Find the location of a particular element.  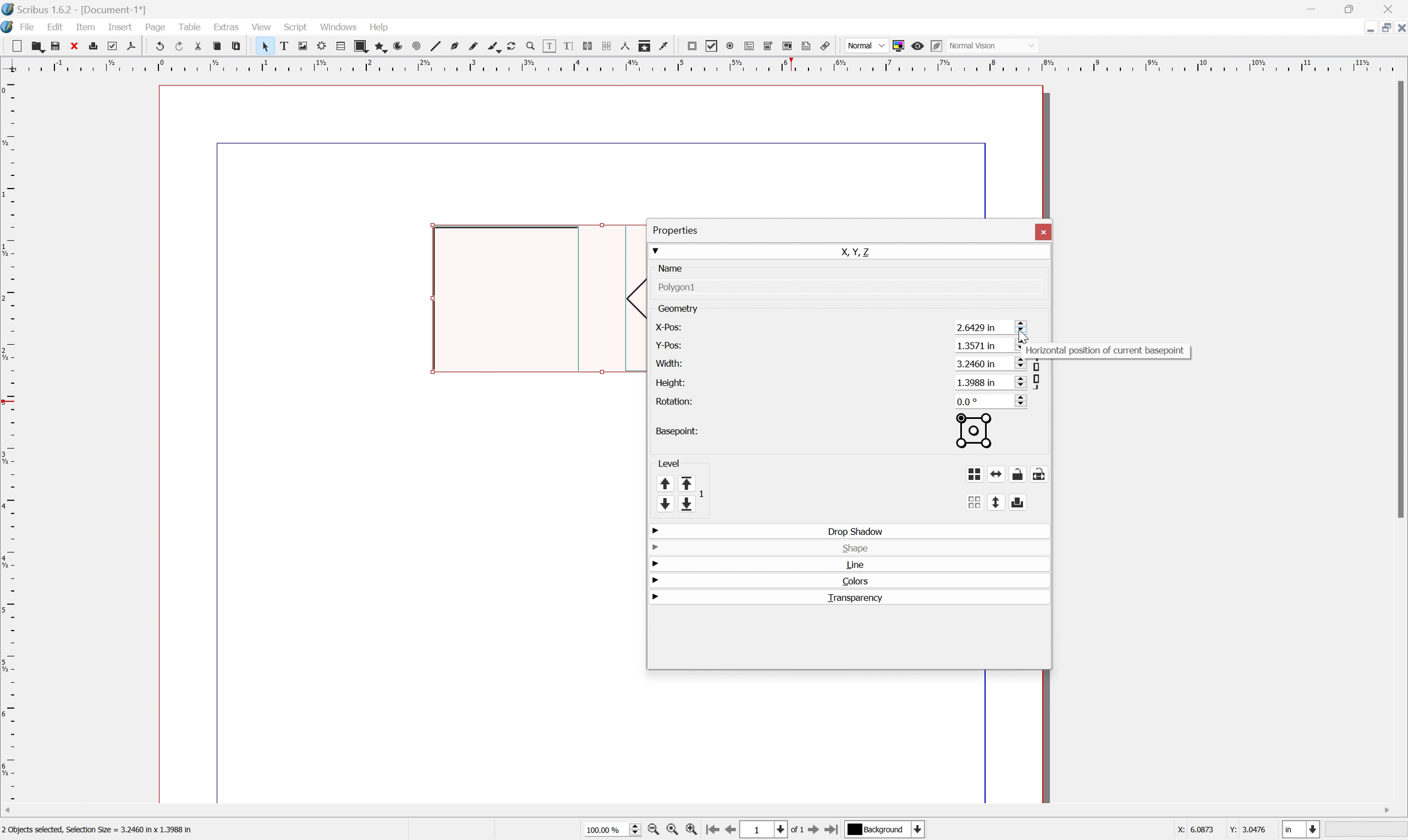

1.3988 in is located at coordinates (991, 383).